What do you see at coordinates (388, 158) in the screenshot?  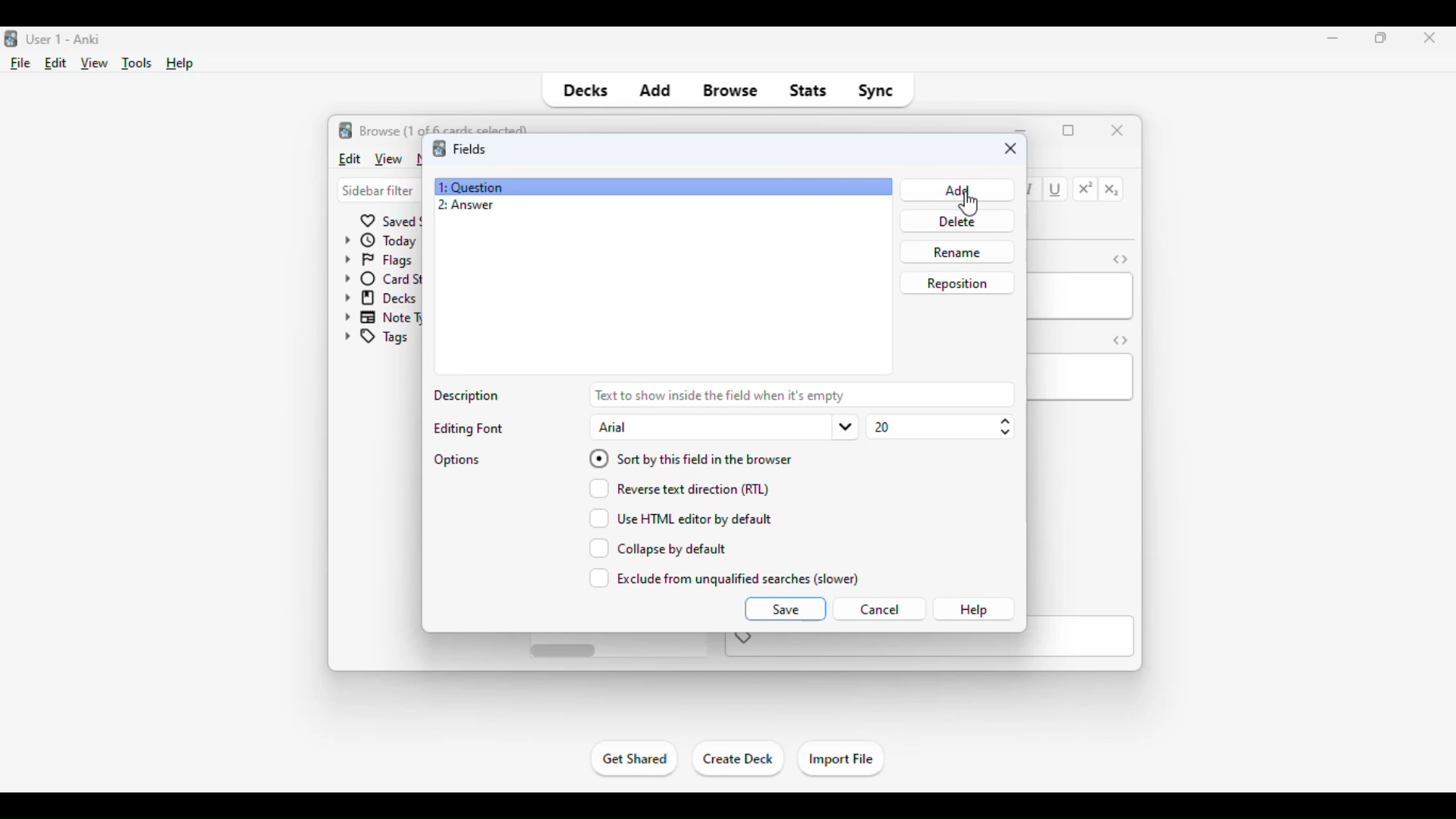 I see `view` at bounding box center [388, 158].